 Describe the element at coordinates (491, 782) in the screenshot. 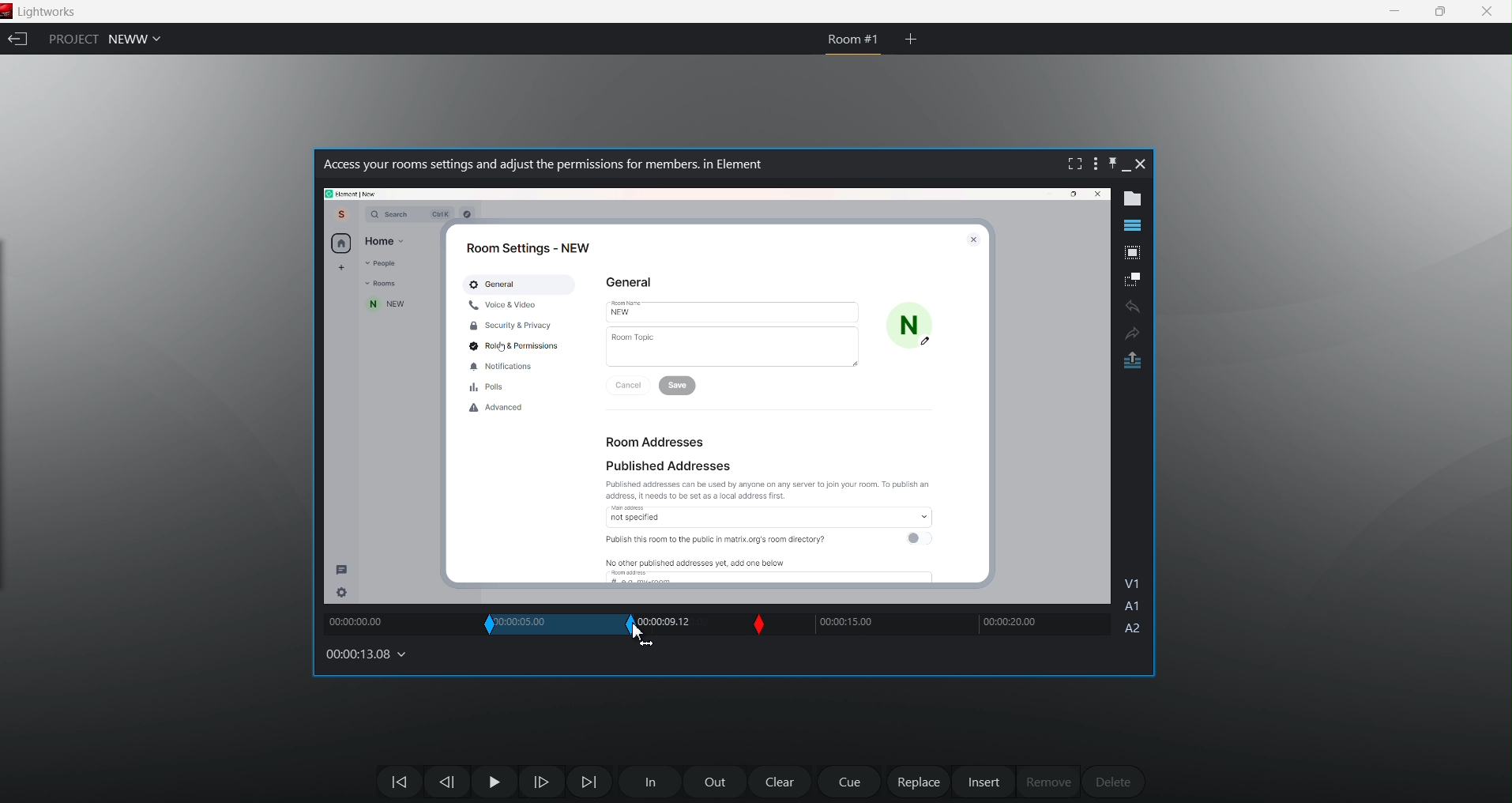

I see `Pause Play Button` at that location.